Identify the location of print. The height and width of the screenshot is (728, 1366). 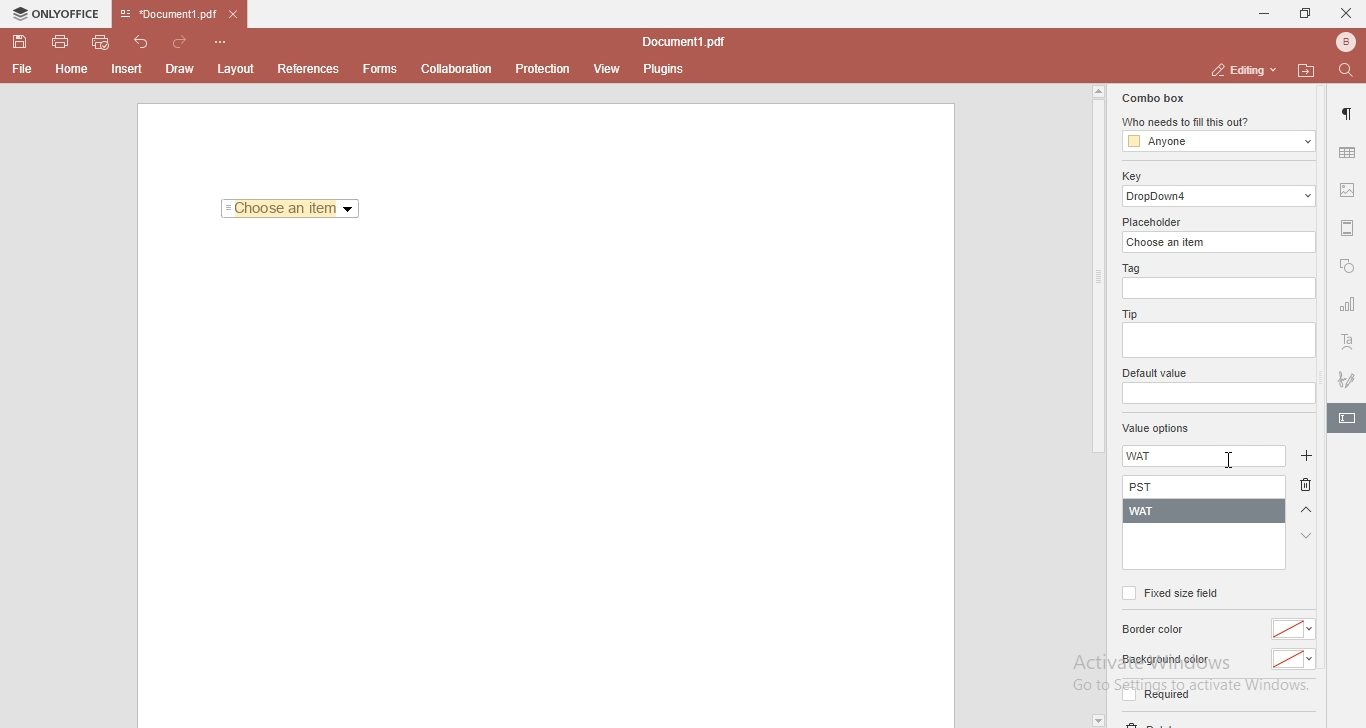
(59, 40).